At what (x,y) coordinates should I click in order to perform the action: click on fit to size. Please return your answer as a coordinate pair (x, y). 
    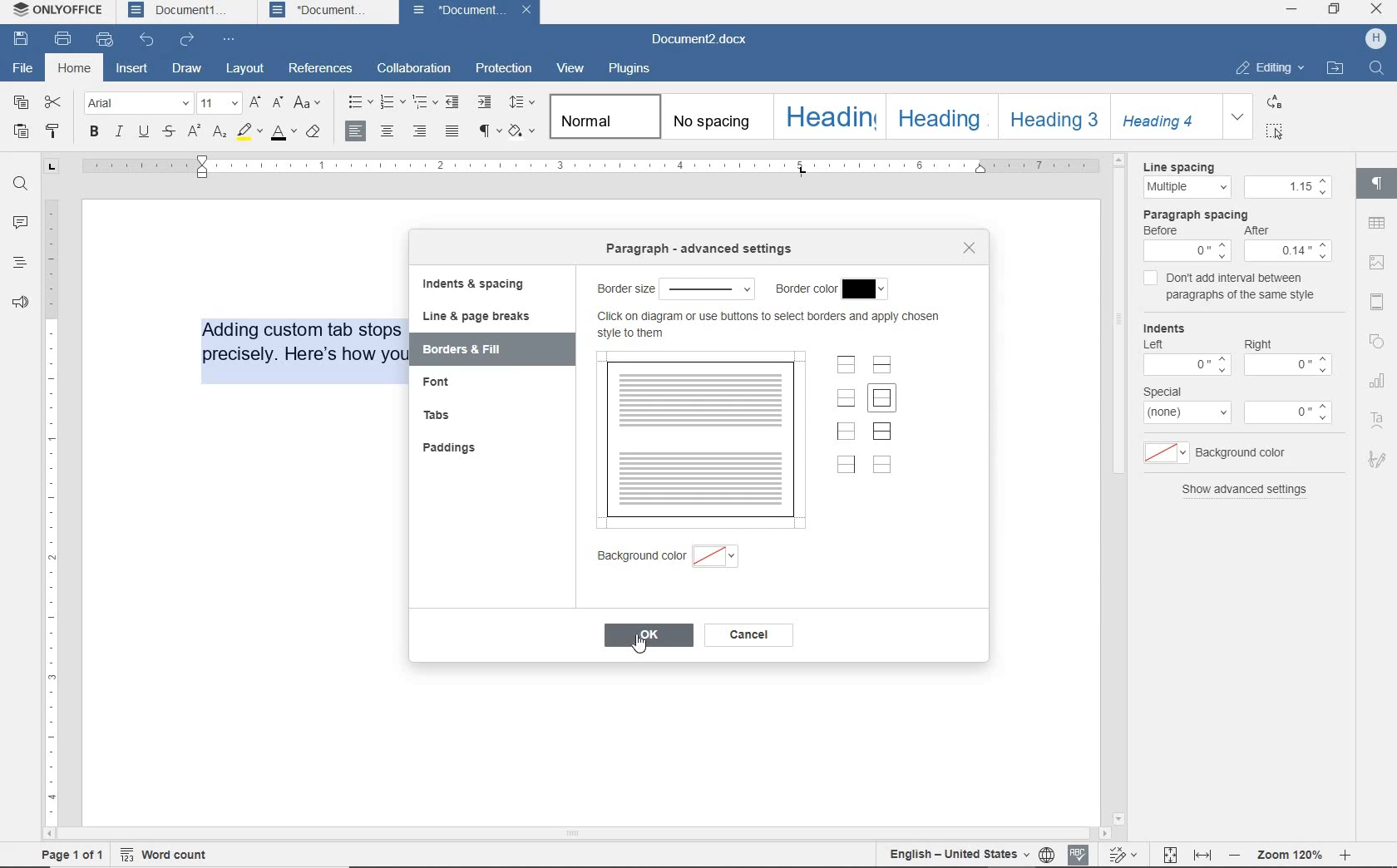
    Looking at the image, I should click on (1202, 854).